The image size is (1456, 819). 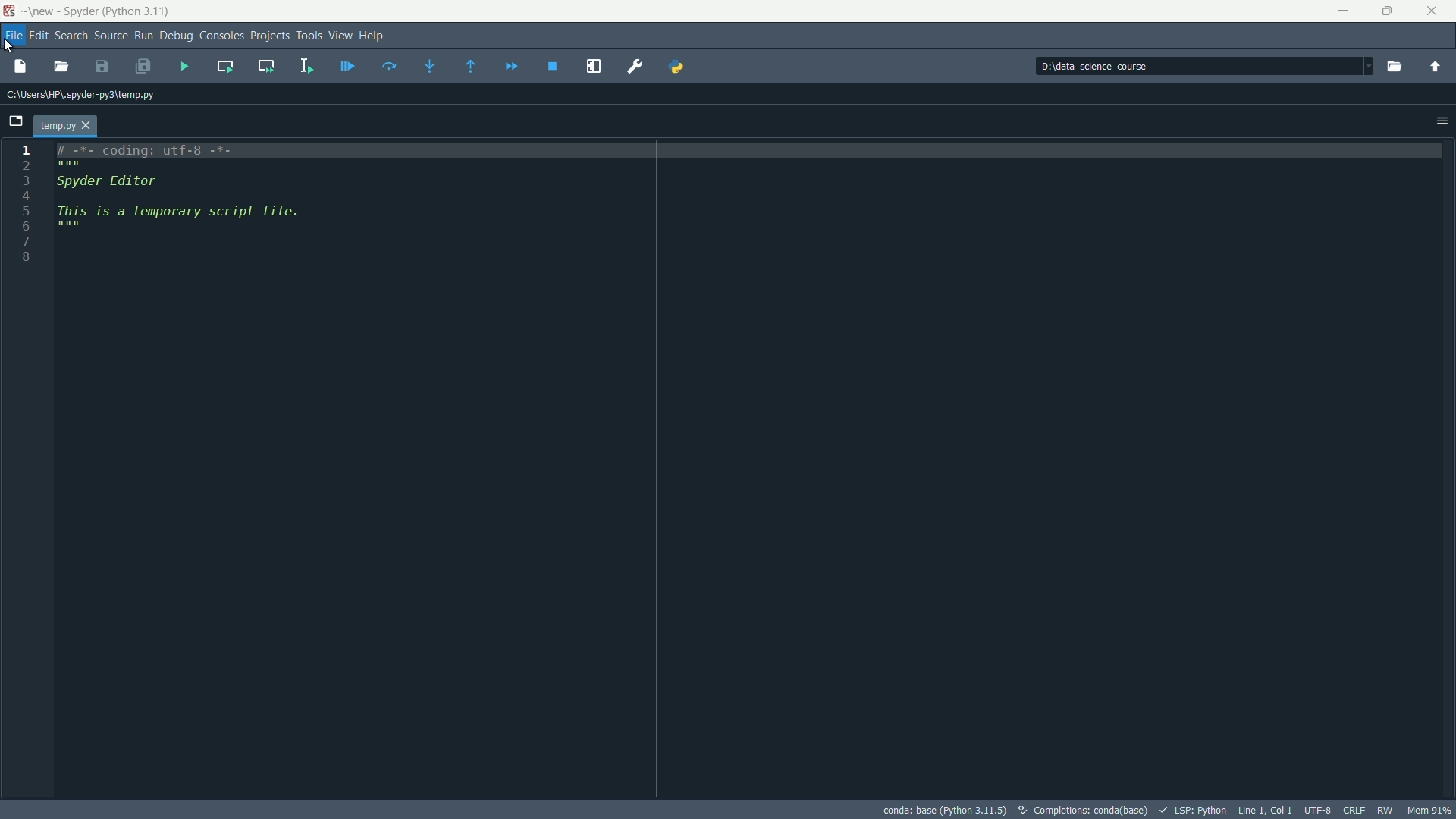 I want to click on line number, so click(x=24, y=204).